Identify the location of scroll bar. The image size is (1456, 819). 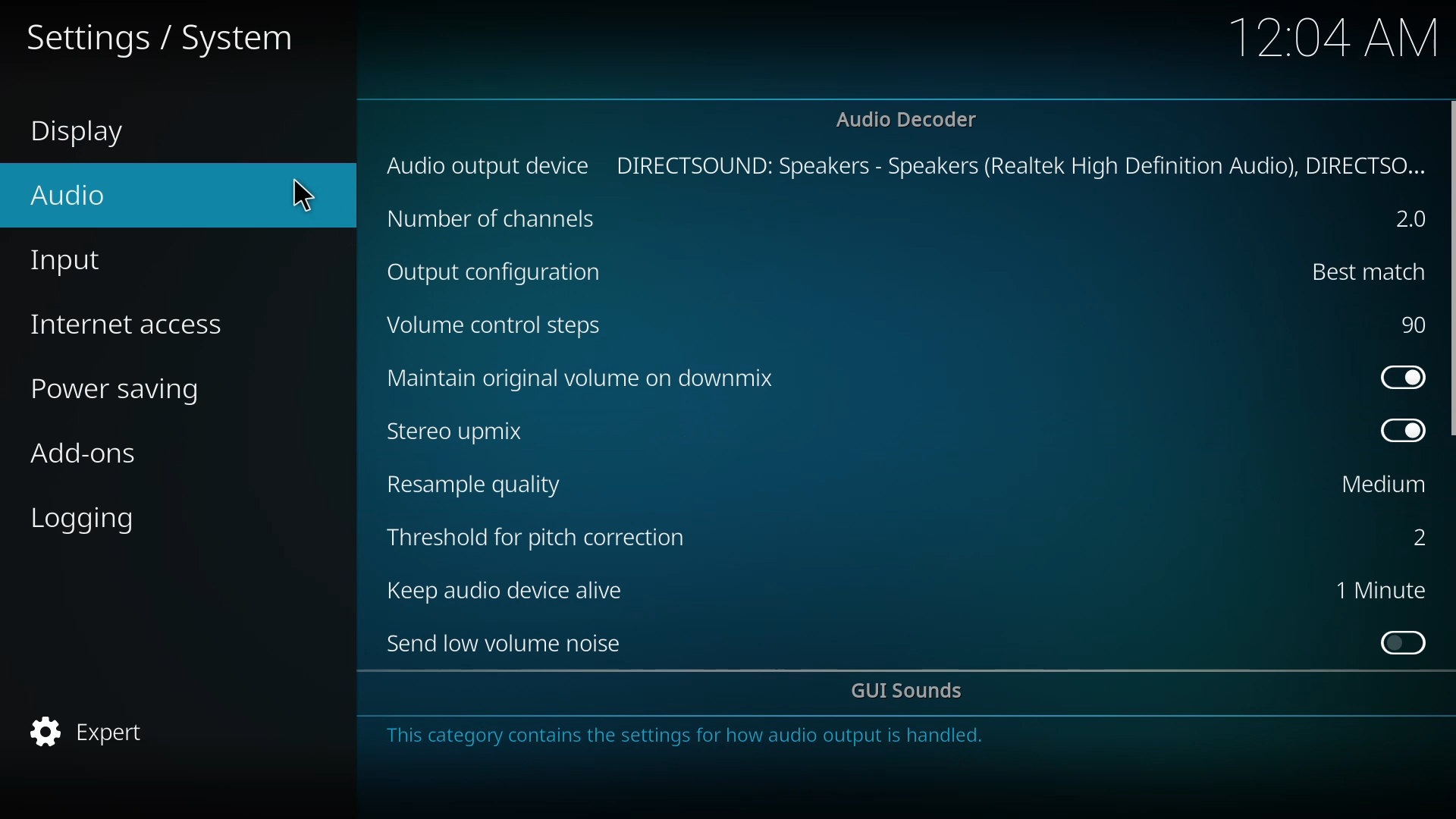
(1454, 271).